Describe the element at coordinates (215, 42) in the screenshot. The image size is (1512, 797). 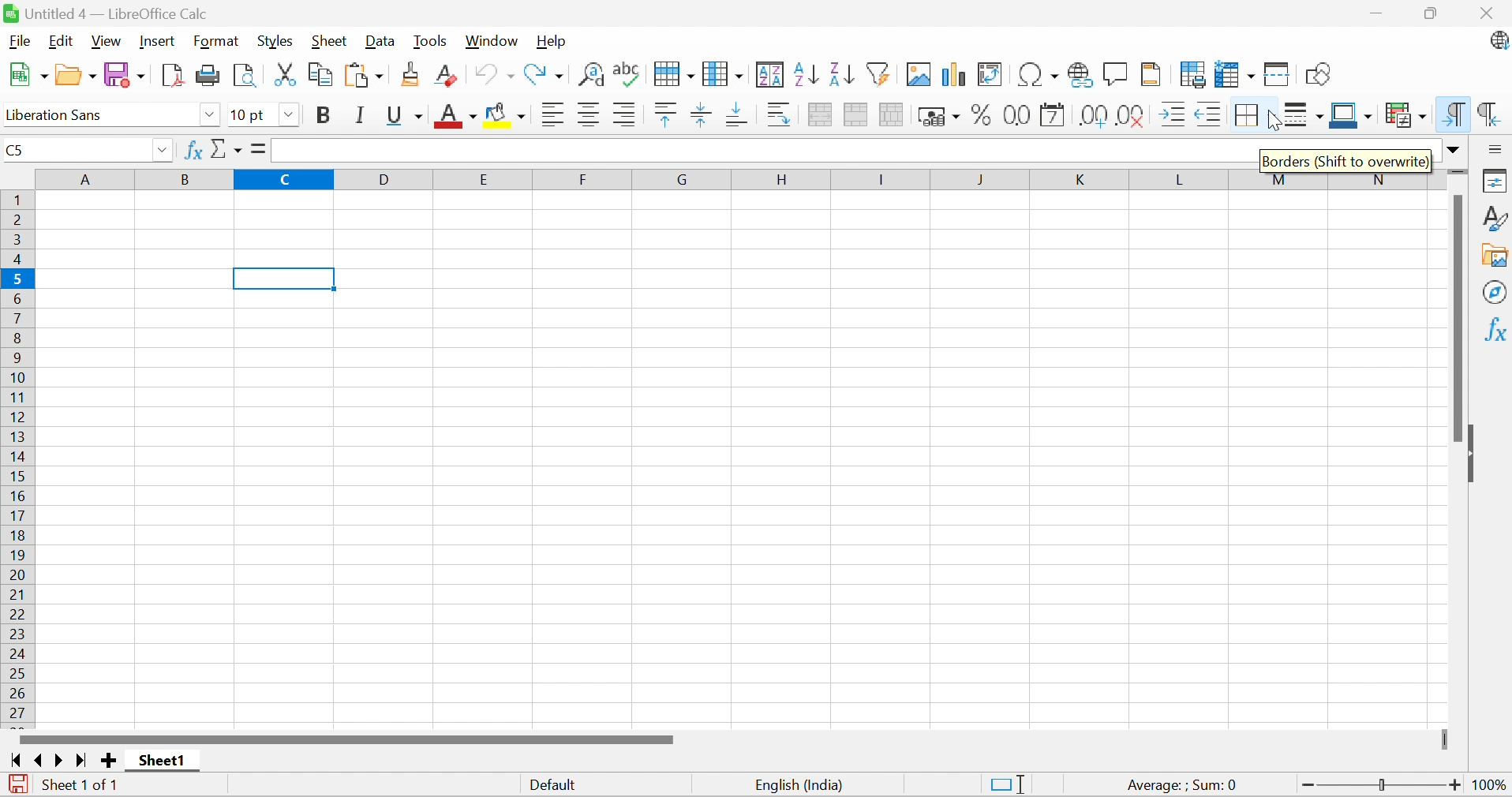
I see `Format` at that location.